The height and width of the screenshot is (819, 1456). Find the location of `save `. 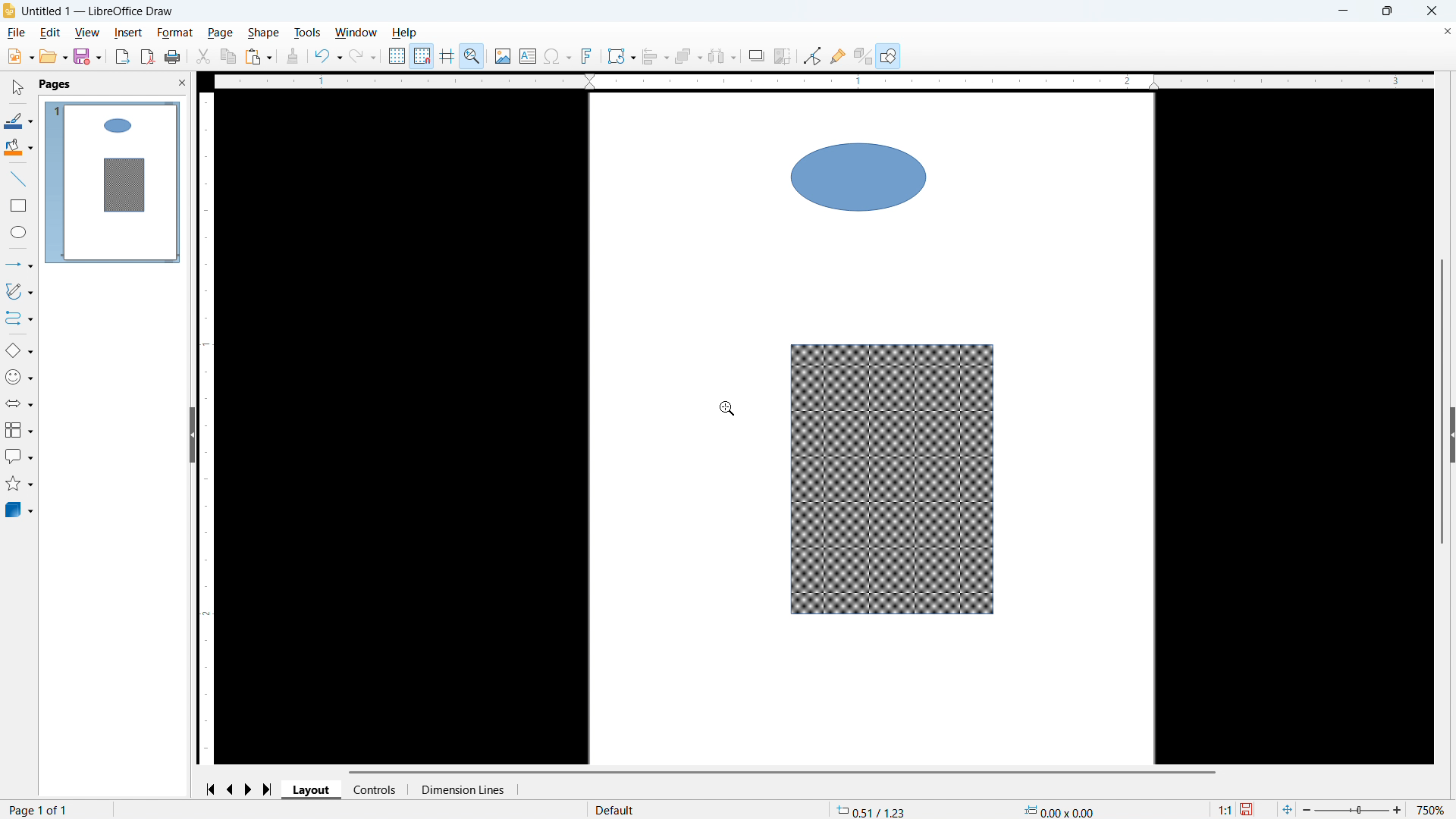

save  is located at coordinates (87, 57).